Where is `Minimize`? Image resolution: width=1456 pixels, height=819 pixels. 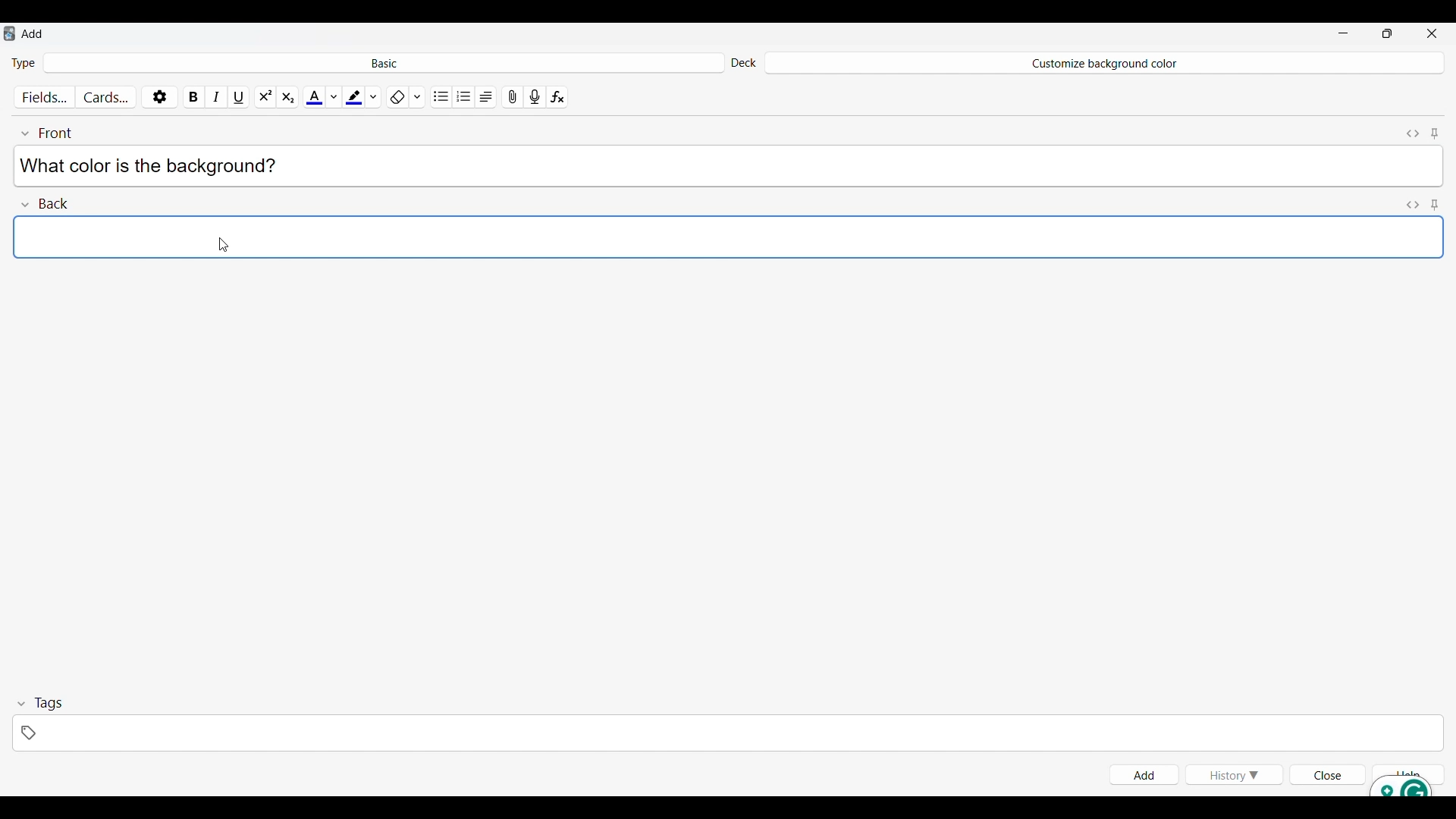
Minimize is located at coordinates (1343, 33).